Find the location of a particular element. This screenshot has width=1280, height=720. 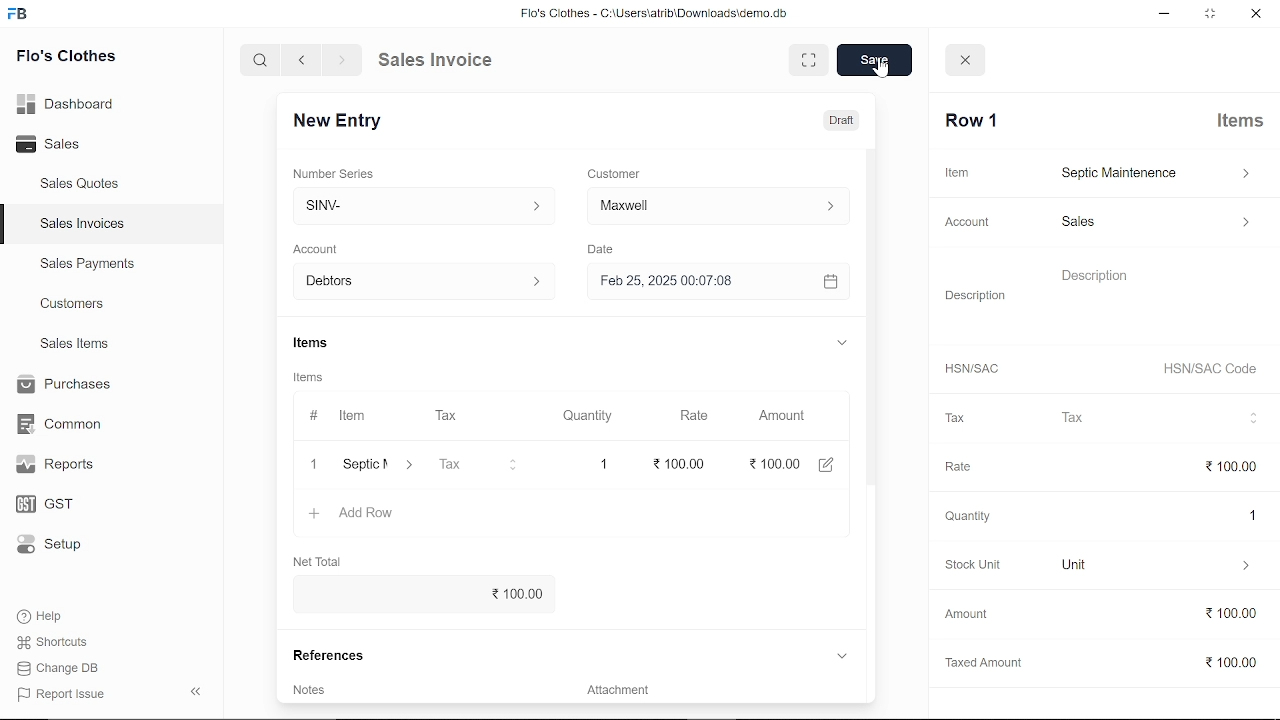

edit amount is located at coordinates (826, 465).